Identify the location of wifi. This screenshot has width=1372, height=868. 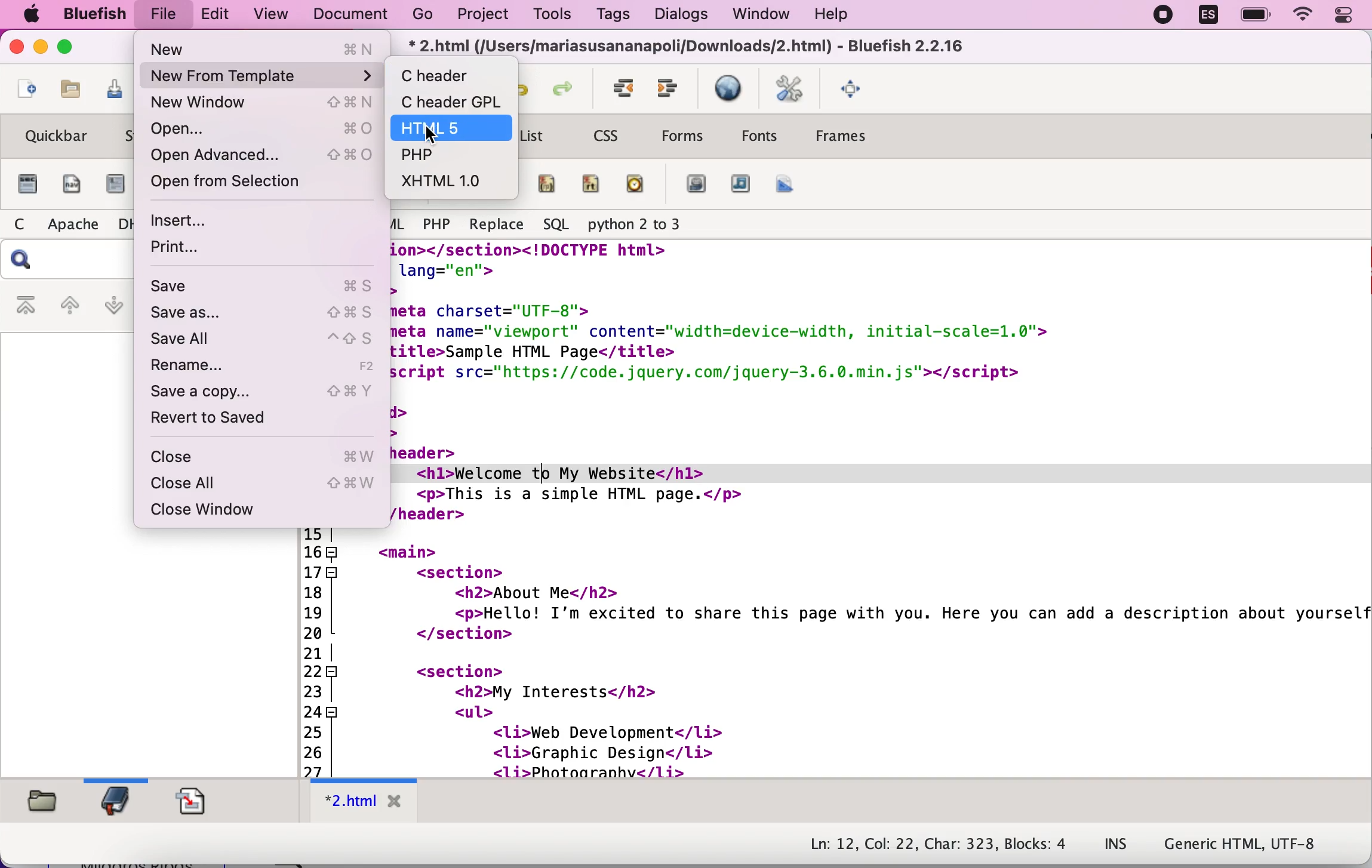
(1305, 17).